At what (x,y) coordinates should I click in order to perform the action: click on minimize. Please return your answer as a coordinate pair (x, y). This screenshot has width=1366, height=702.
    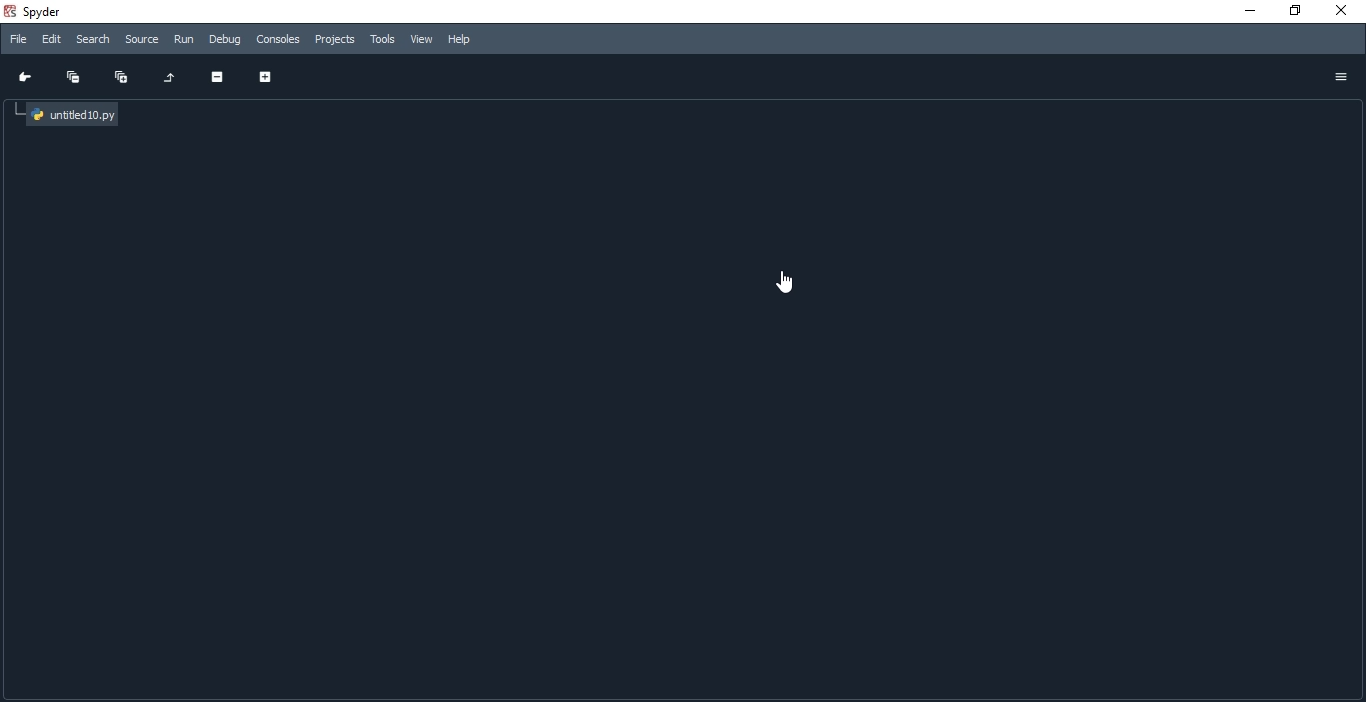
    Looking at the image, I should click on (1245, 11).